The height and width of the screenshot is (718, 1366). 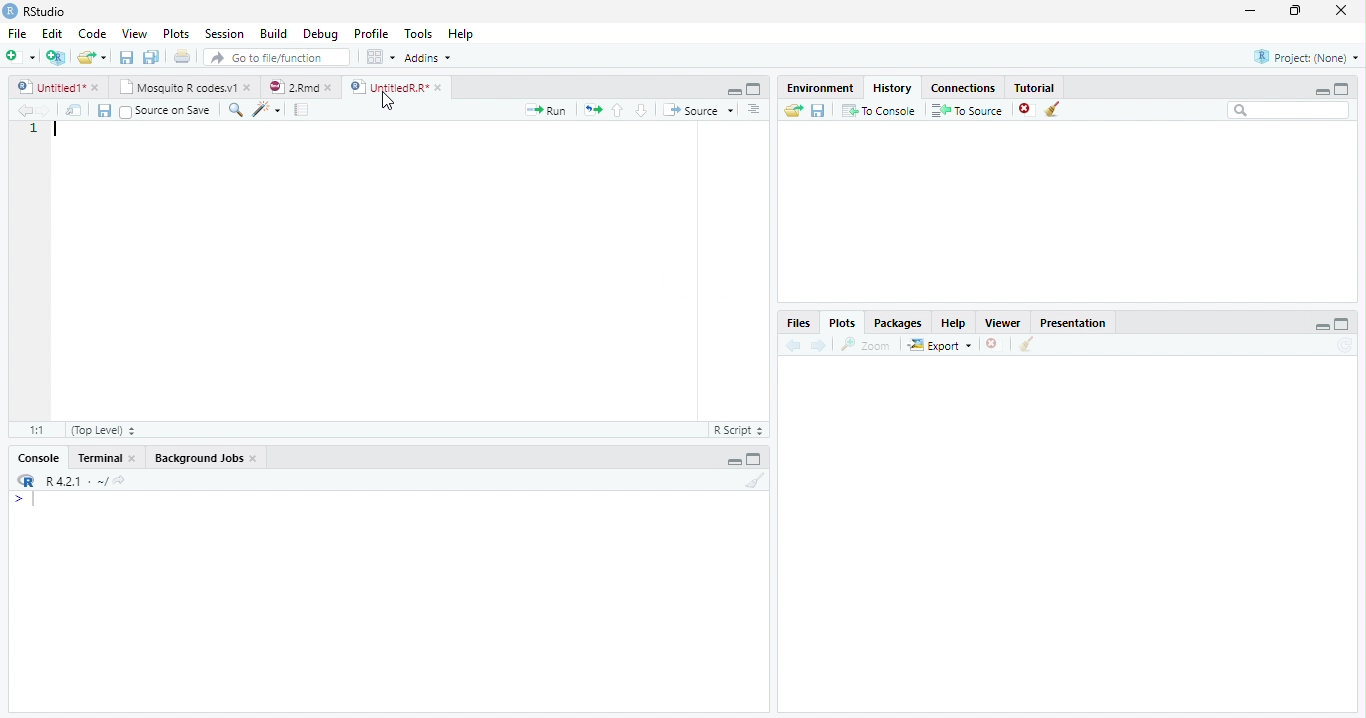 What do you see at coordinates (896, 322) in the screenshot?
I see `Packages` at bounding box center [896, 322].